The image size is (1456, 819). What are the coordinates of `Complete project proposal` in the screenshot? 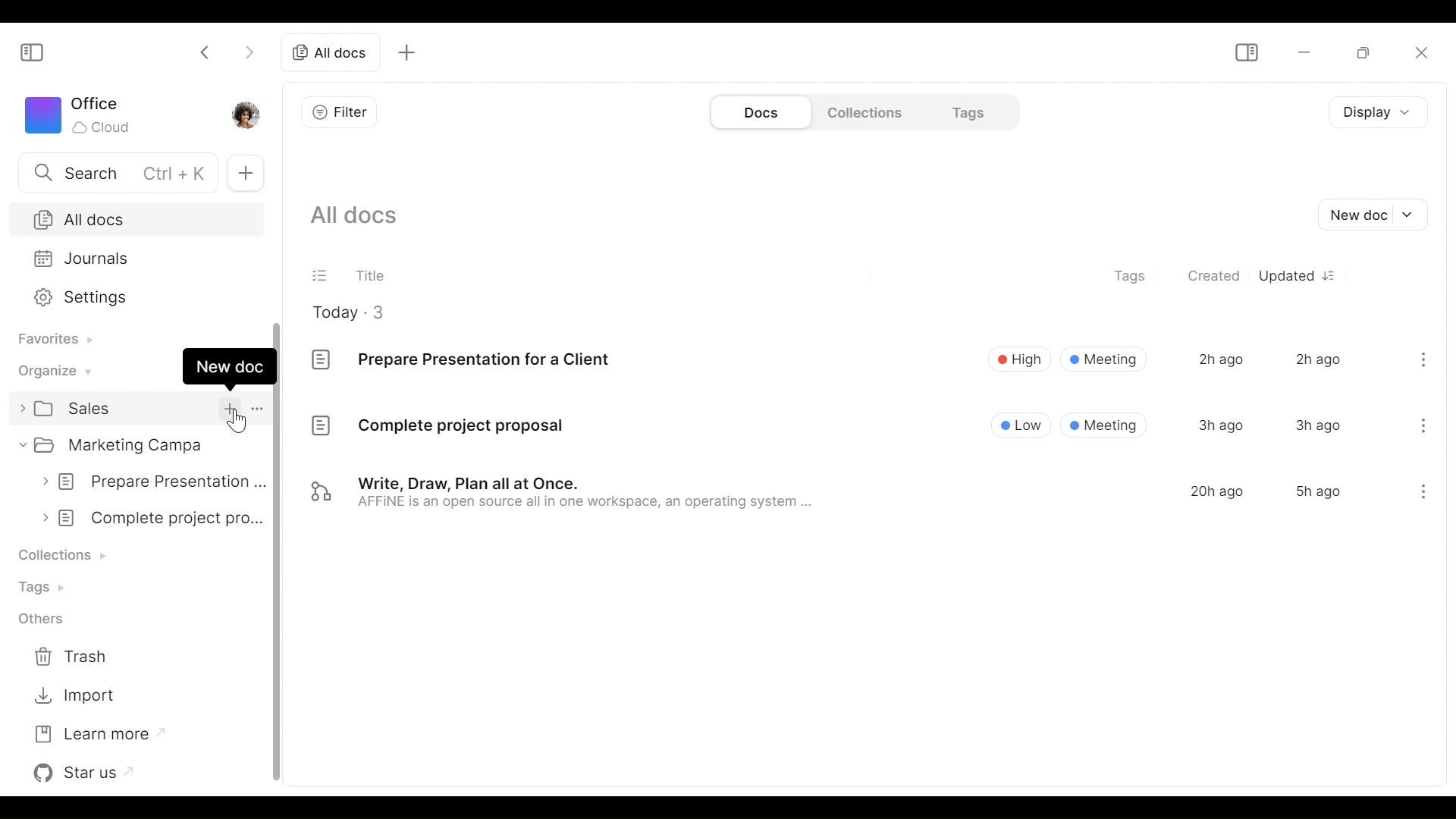 It's located at (437, 428).